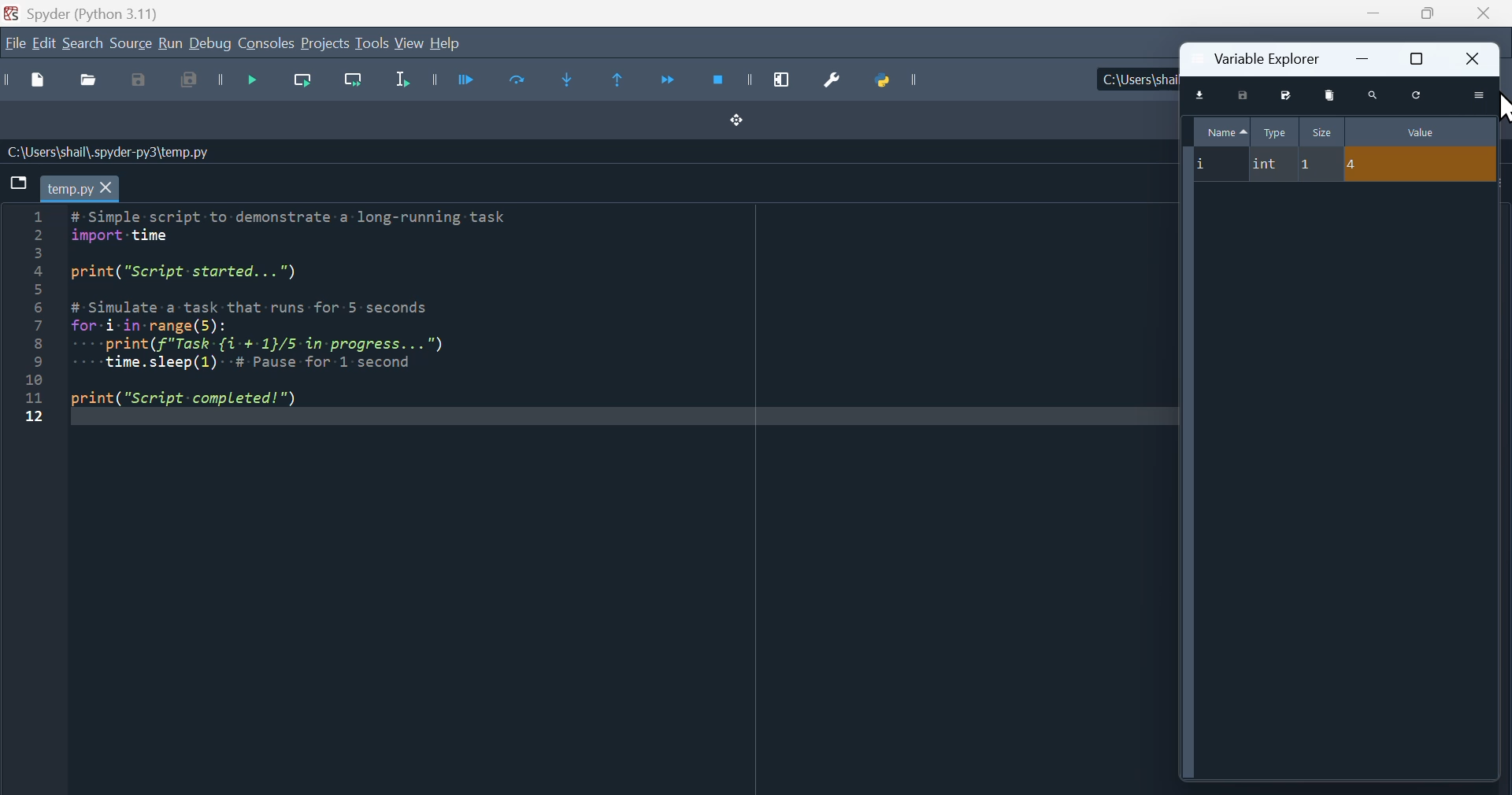  Describe the element at coordinates (266, 44) in the screenshot. I see `Consoles` at that location.